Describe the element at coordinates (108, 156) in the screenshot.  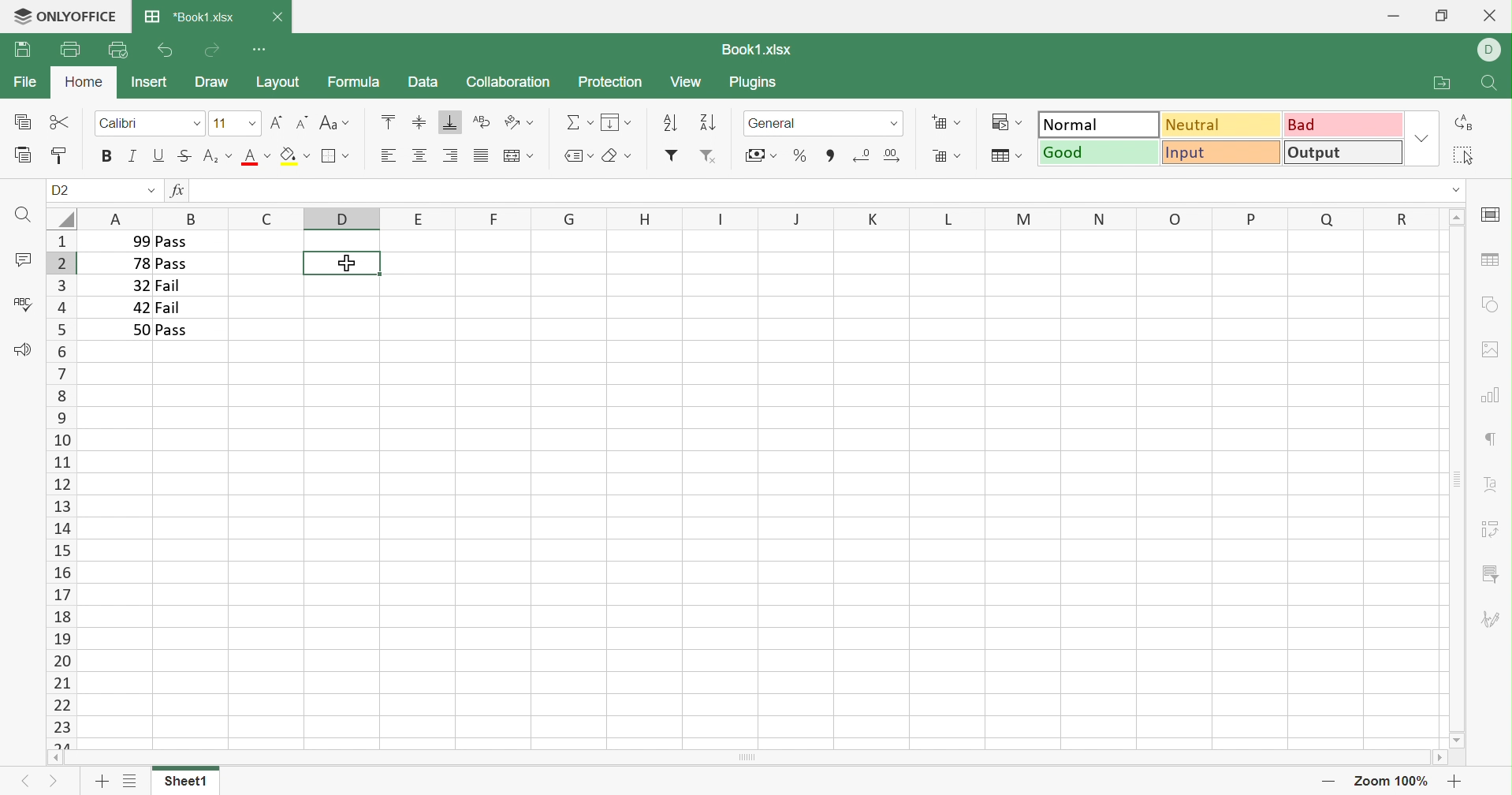
I see `Bold` at that location.